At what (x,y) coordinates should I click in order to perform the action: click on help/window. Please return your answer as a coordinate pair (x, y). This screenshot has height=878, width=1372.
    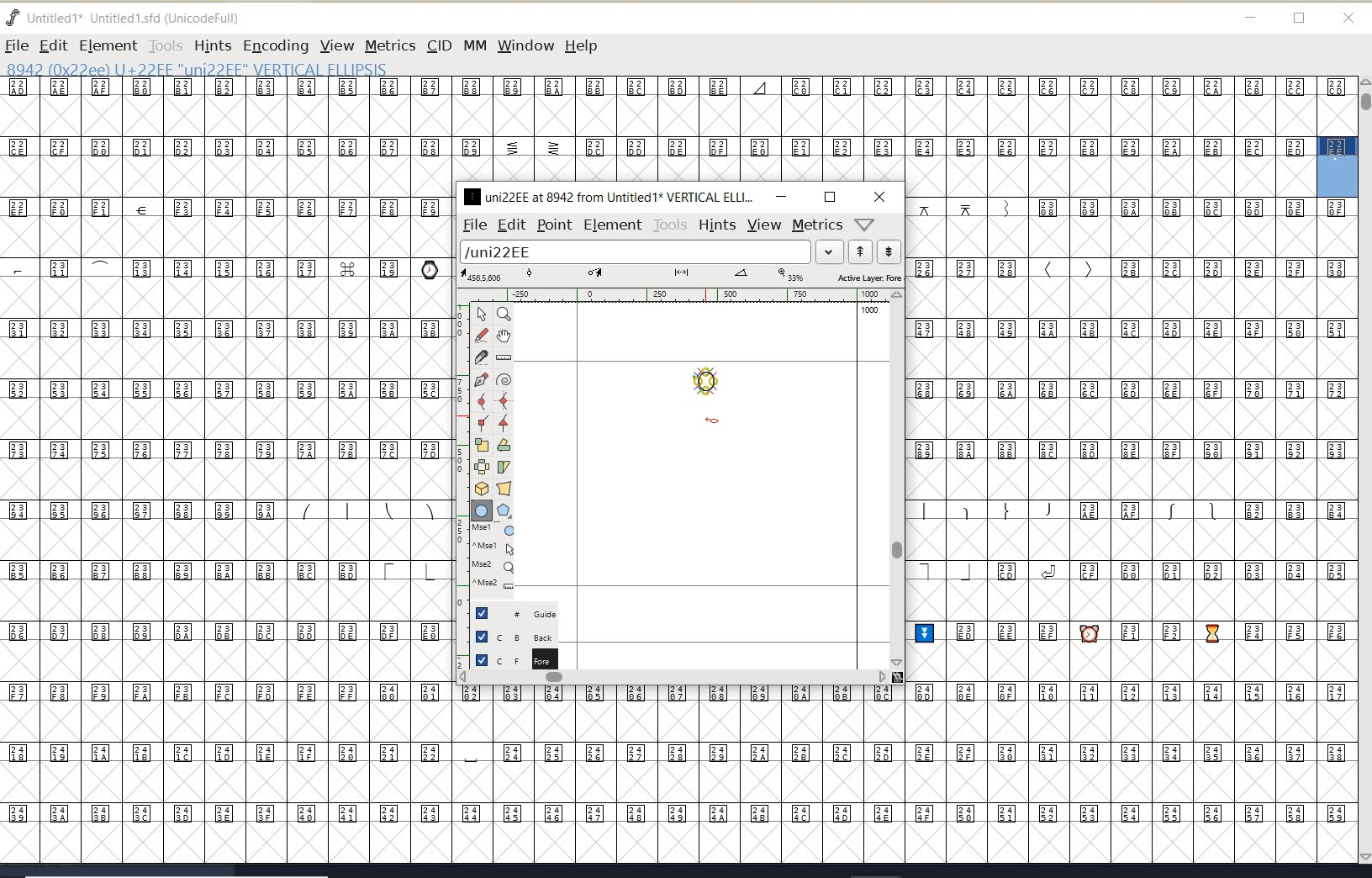
    Looking at the image, I should click on (865, 223).